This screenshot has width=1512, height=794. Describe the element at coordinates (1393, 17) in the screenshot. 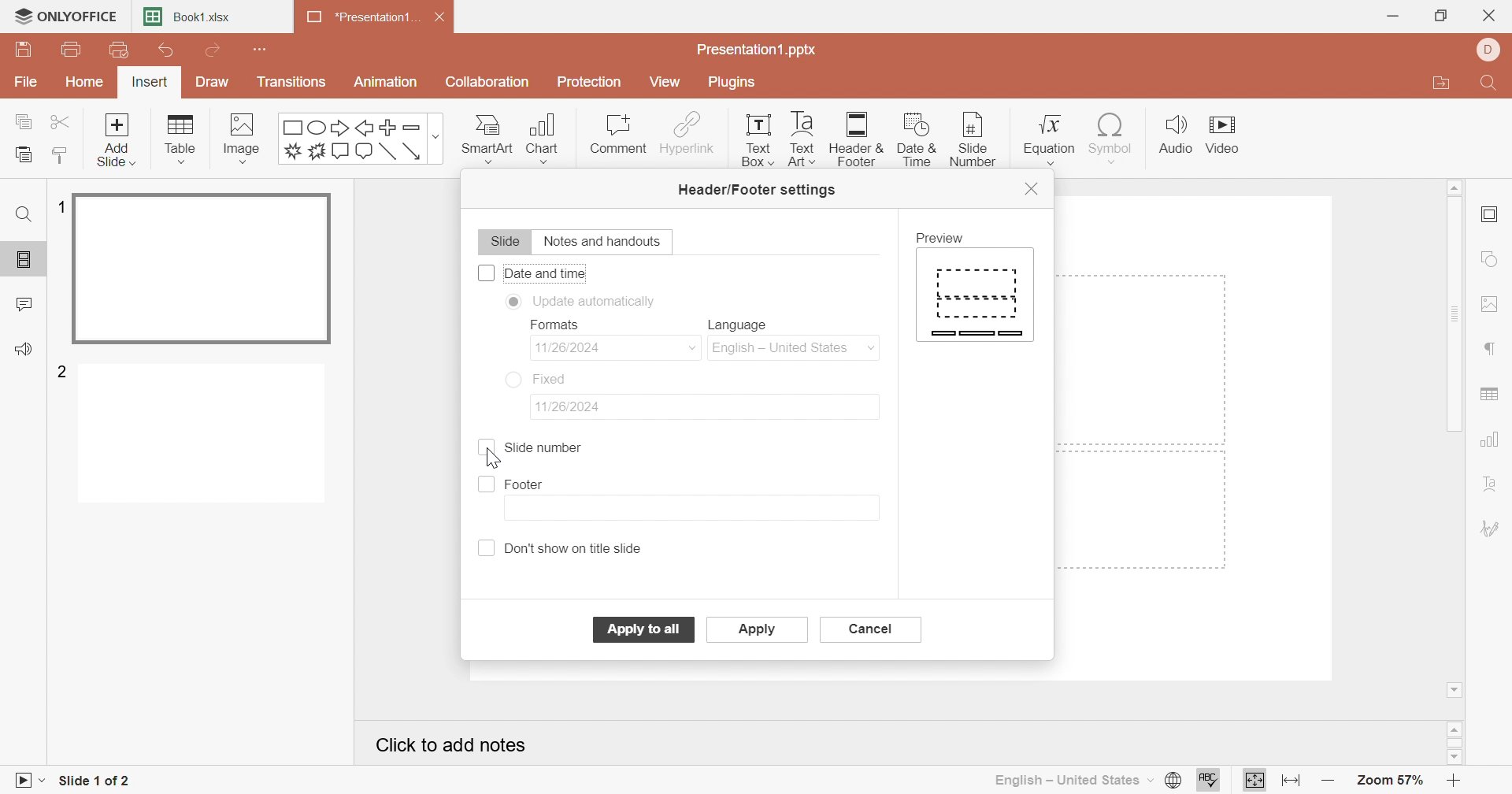

I see `Minimize` at that location.